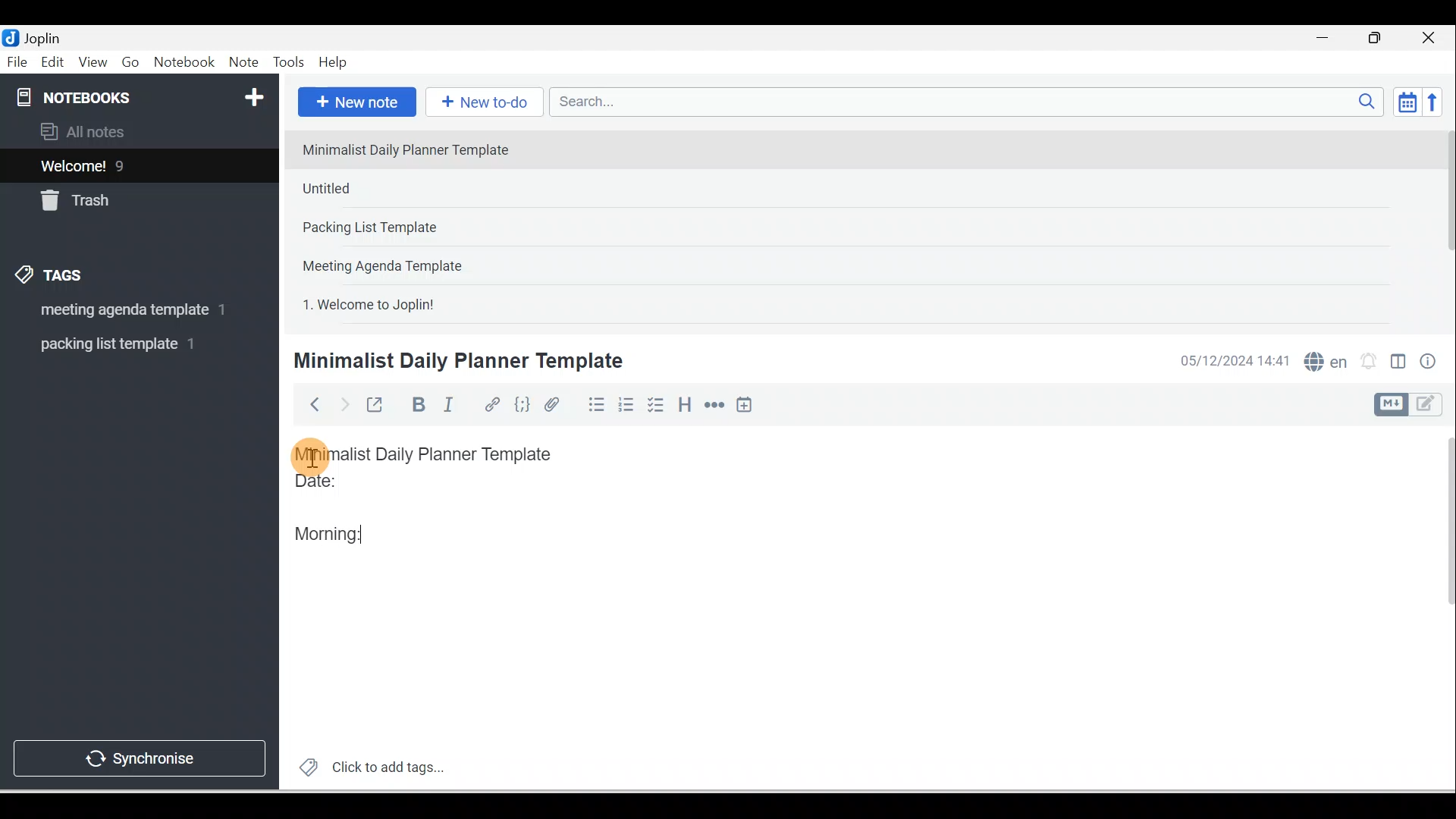  I want to click on Cursor, so click(311, 455).